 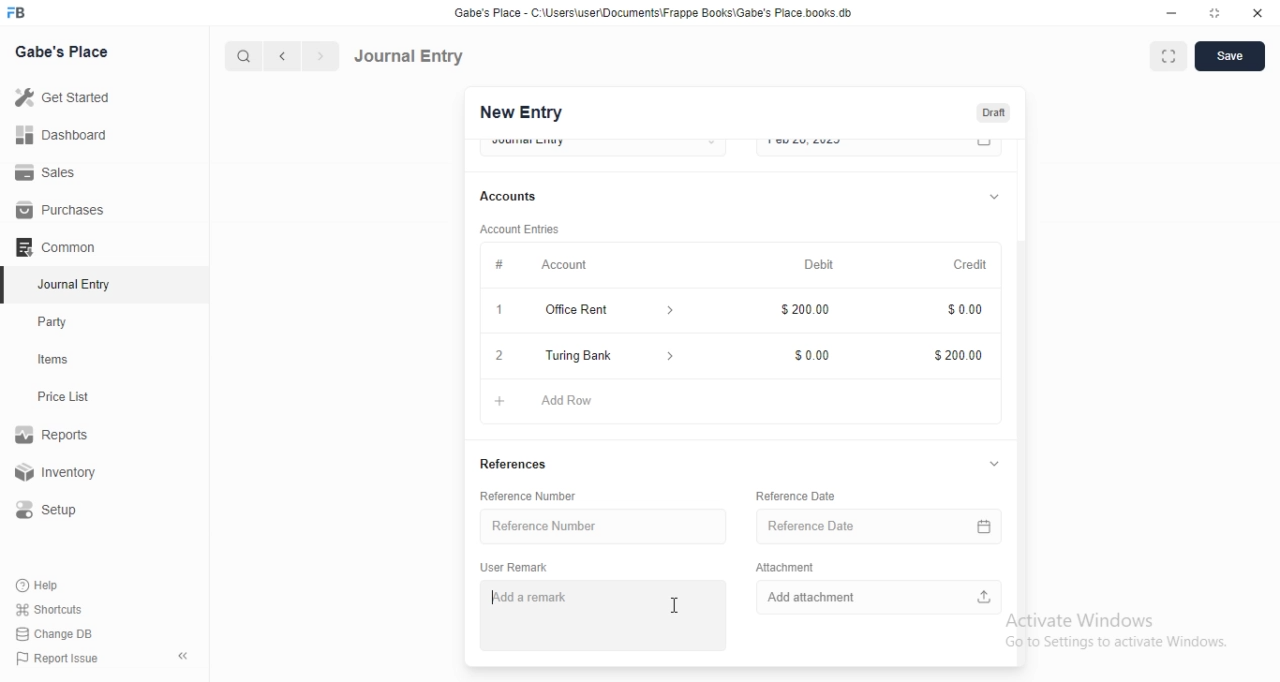 What do you see at coordinates (62, 397) in the screenshot?
I see `Price List` at bounding box center [62, 397].